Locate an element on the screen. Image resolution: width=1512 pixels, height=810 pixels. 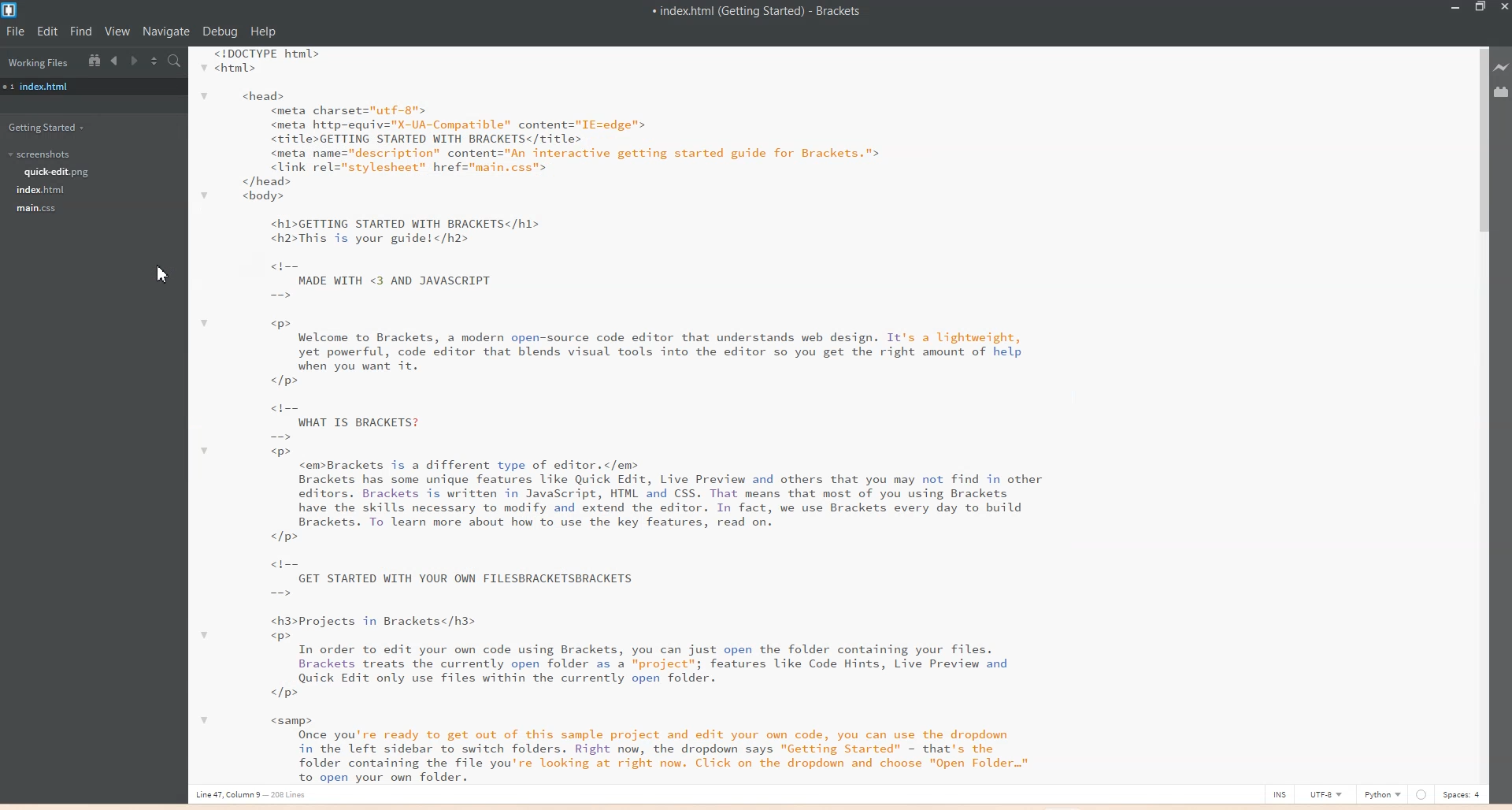
Screenshots is located at coordinates (40, 154).